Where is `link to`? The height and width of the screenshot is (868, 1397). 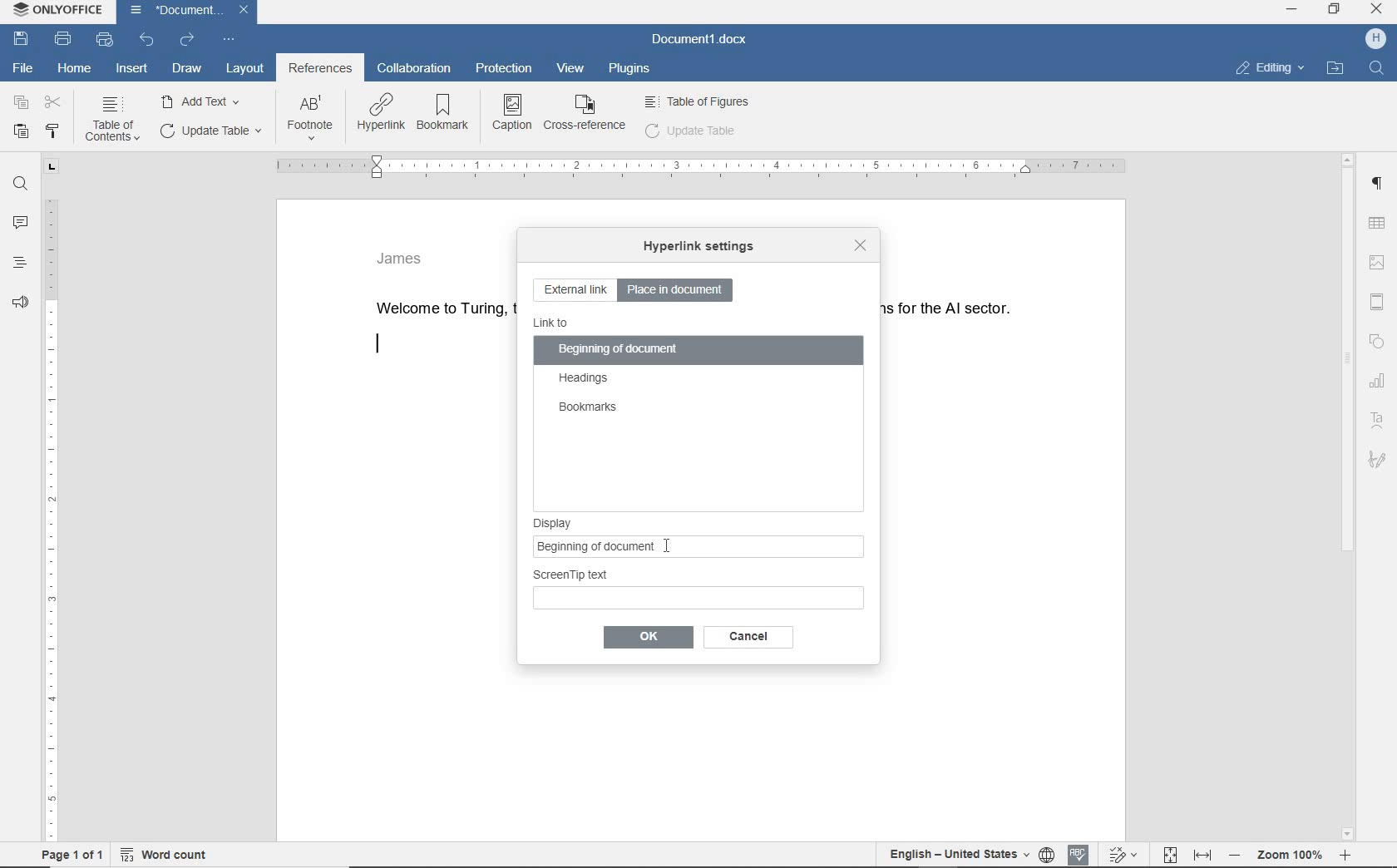
link to is located at coordinates (552, 323).